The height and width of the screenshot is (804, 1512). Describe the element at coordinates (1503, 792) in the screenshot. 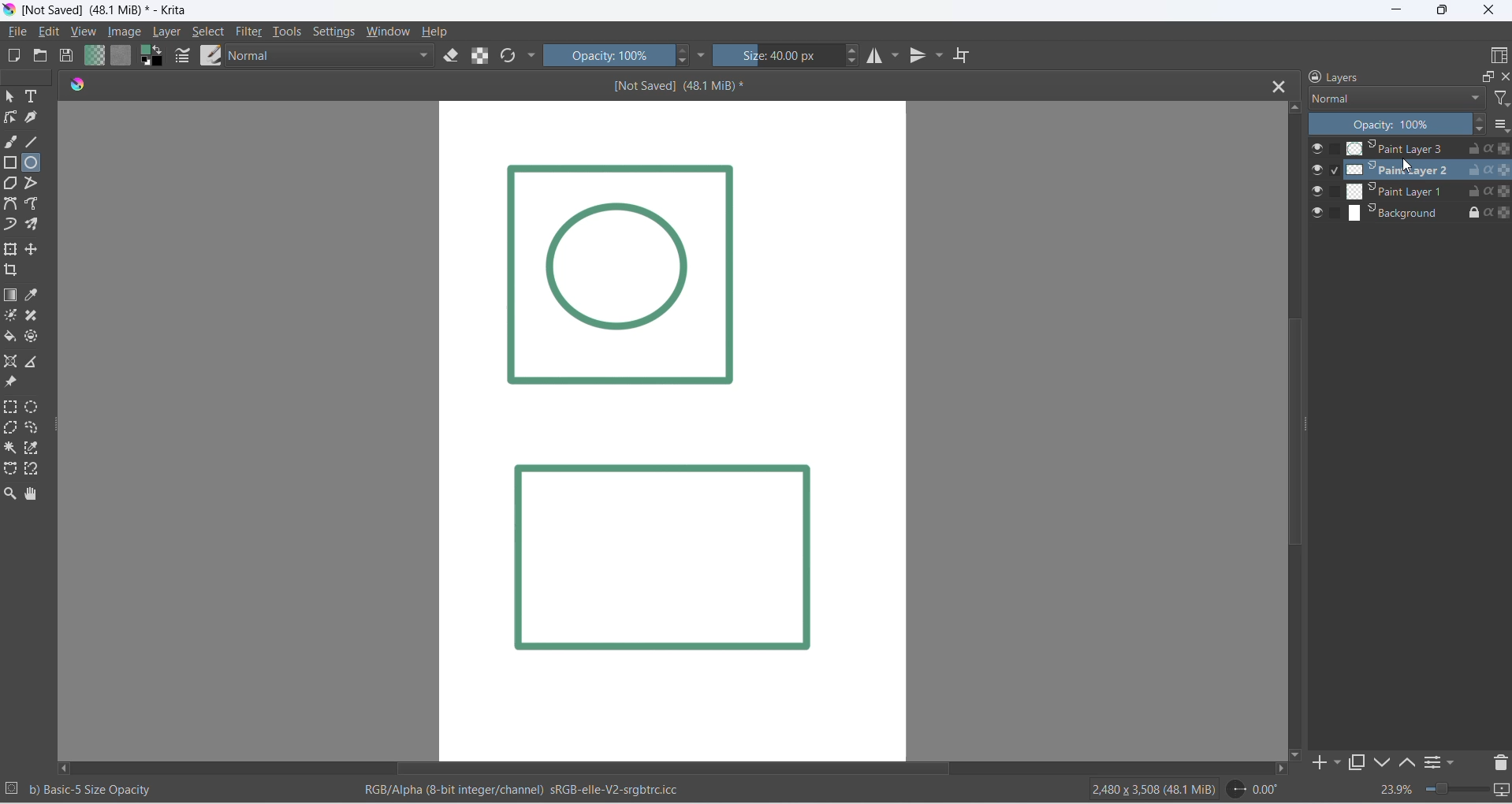

I see `slideshow` at that location.